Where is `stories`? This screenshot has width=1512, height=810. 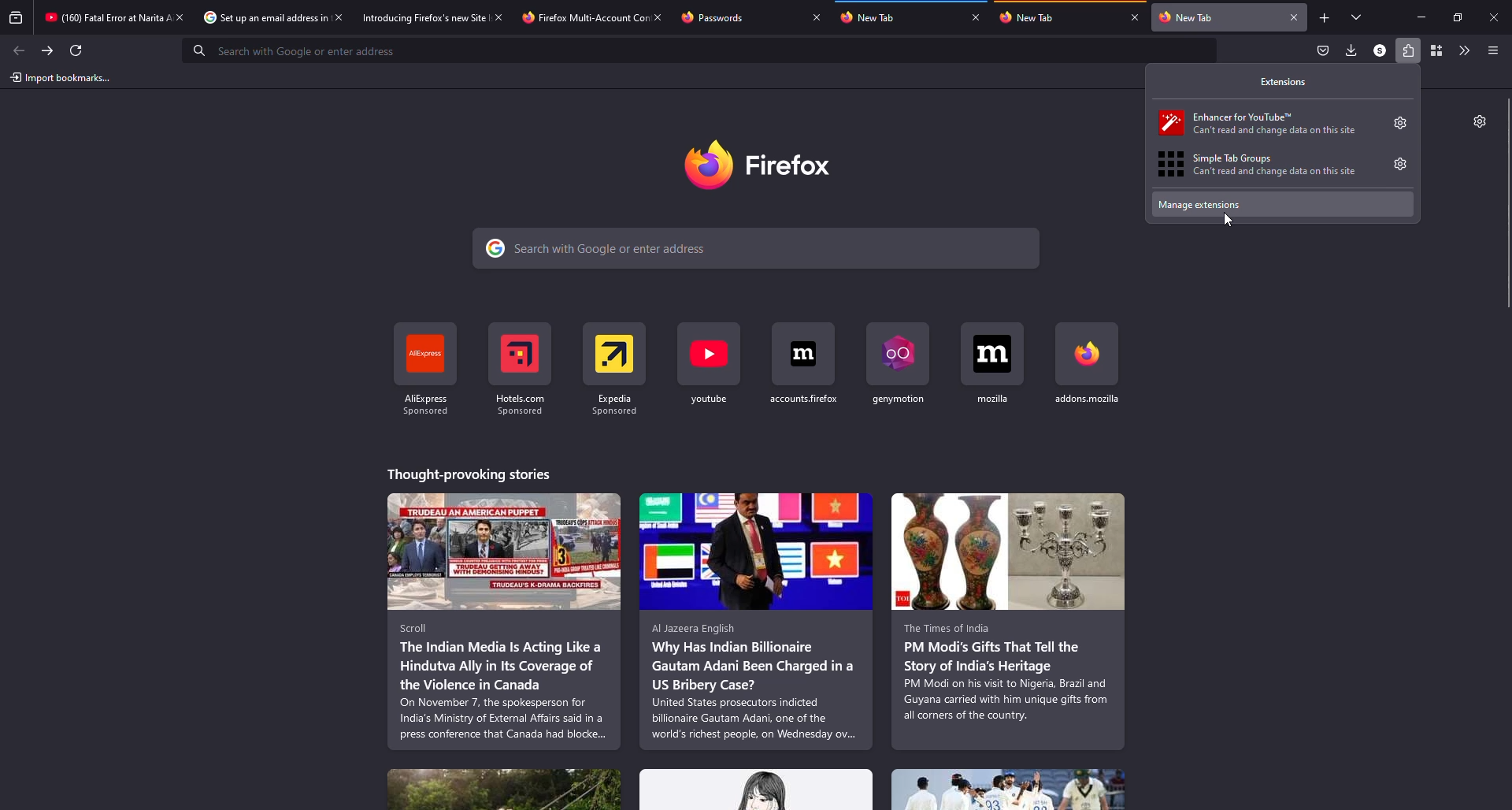 stories is located at coordinates (472, 474).